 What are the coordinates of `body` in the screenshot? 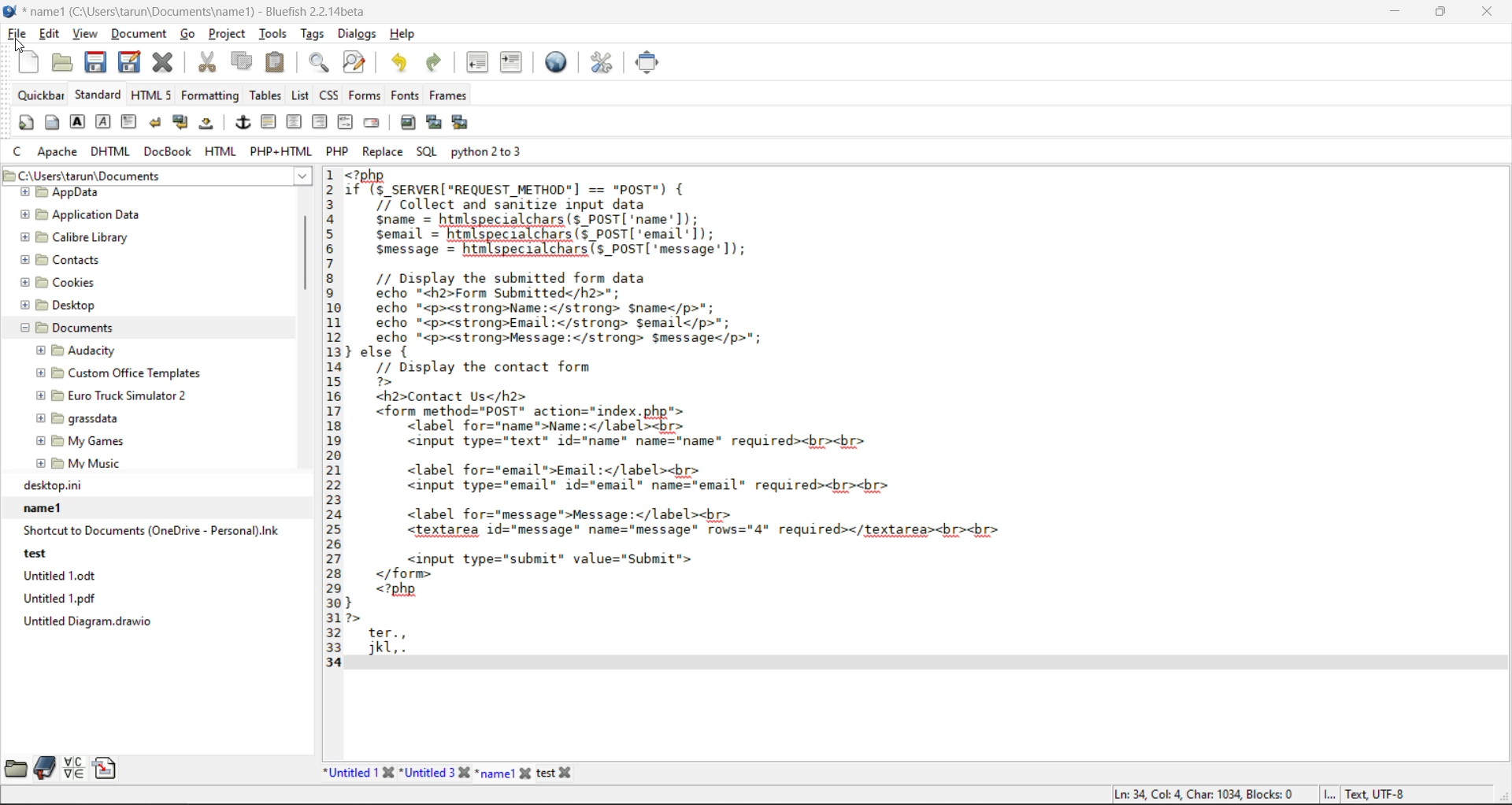 It's located at (52, 124).